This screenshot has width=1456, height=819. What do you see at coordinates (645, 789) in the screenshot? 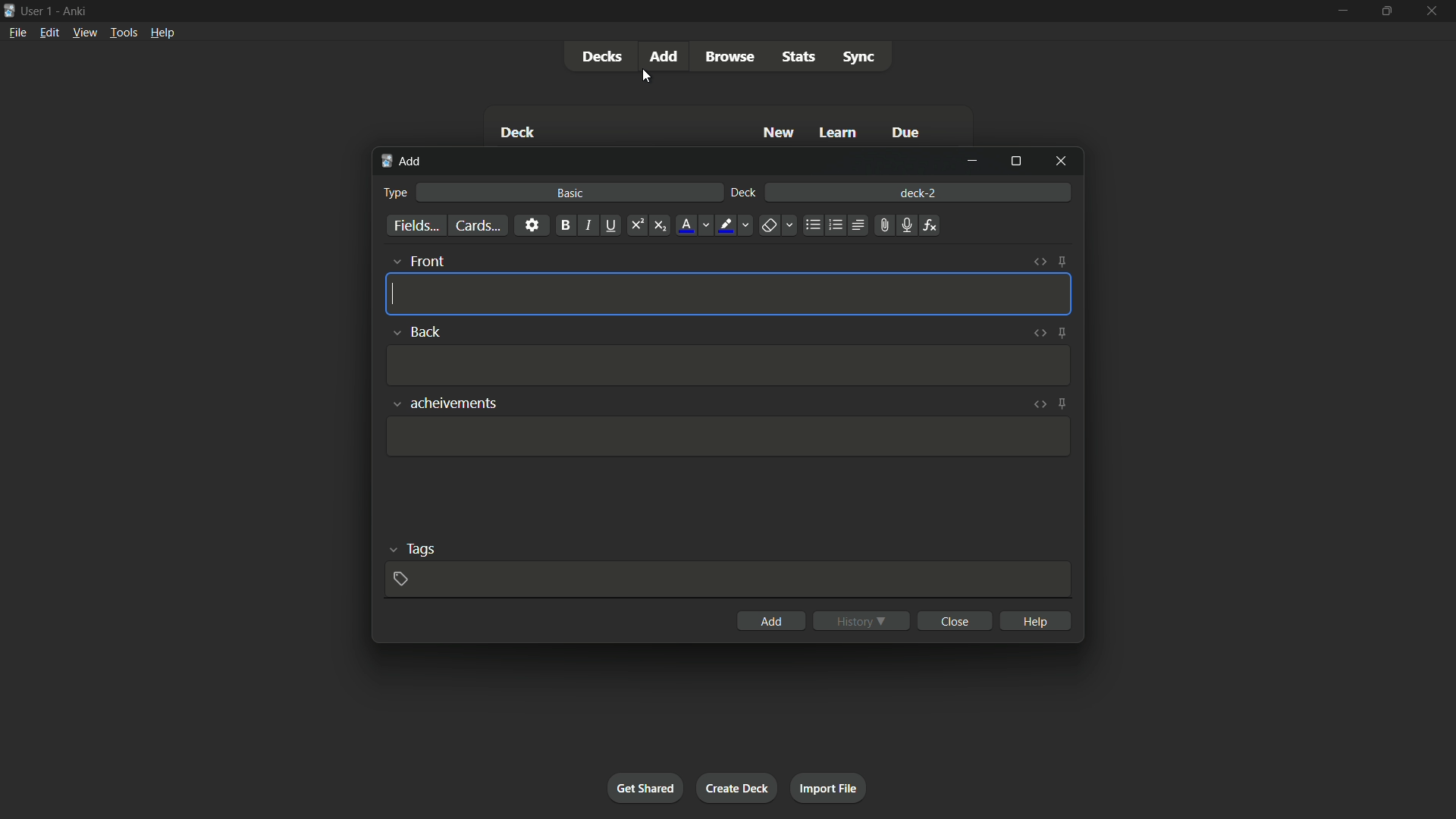
I see `get shared` at bounding box center [645, 789].